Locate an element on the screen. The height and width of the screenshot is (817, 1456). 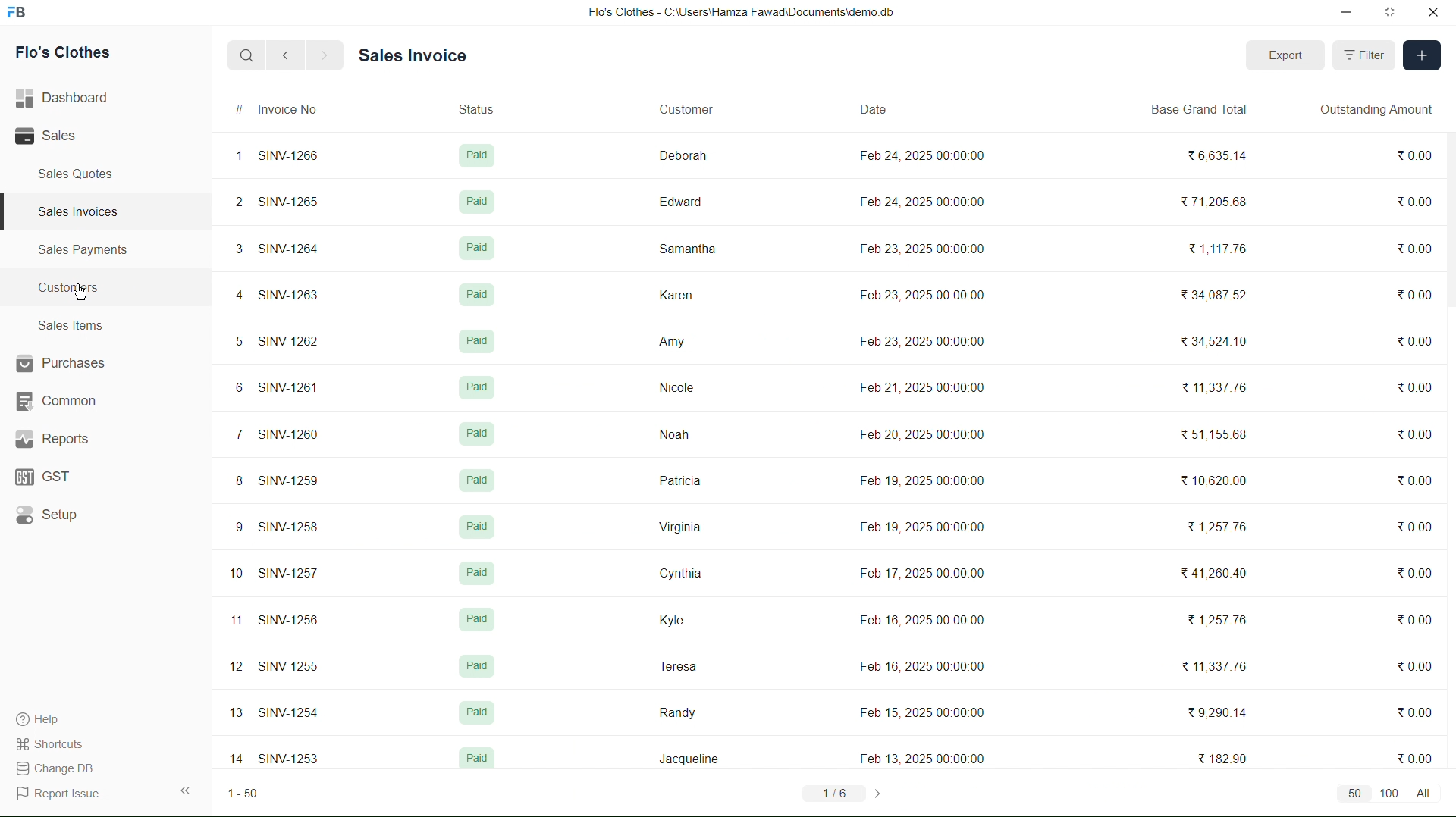
51,155.68 is located at coordinates (1219, 436).